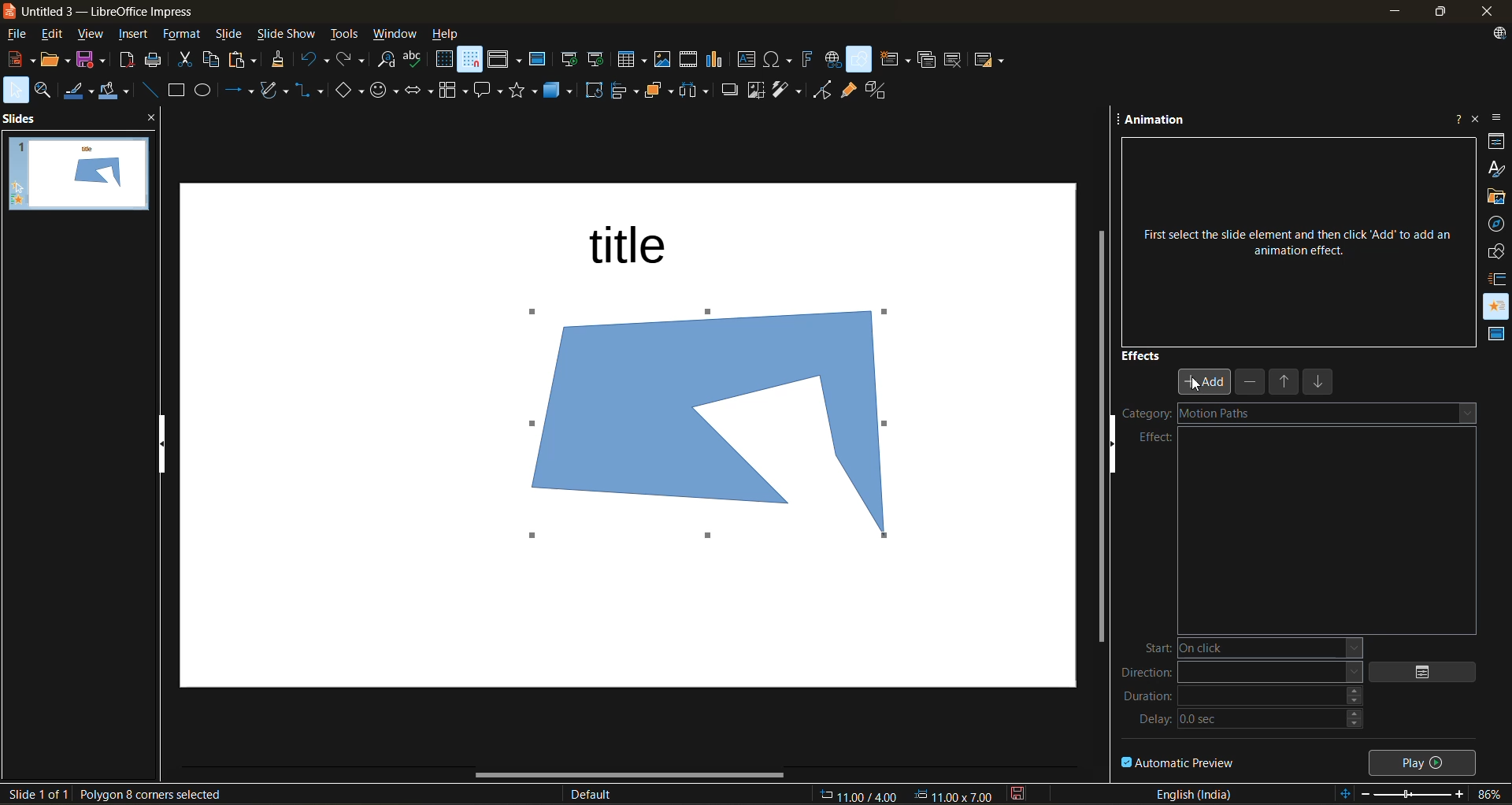  What do you see at coordinates (175, 90) in the screenshot?
I see `rectangle` at bounding box center [175, 90].